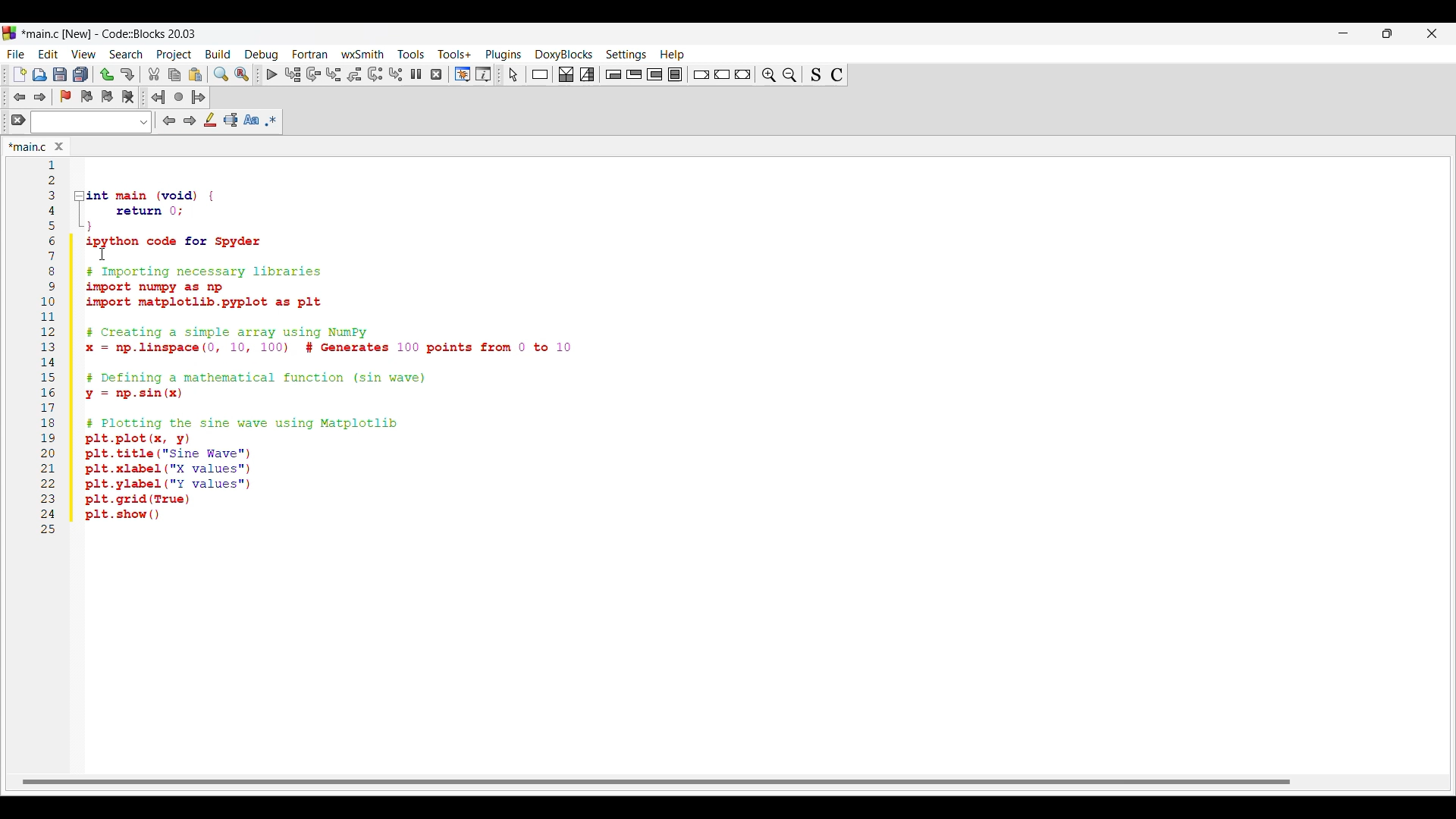  I want to click on Tools+ menu, so click(454, 54).